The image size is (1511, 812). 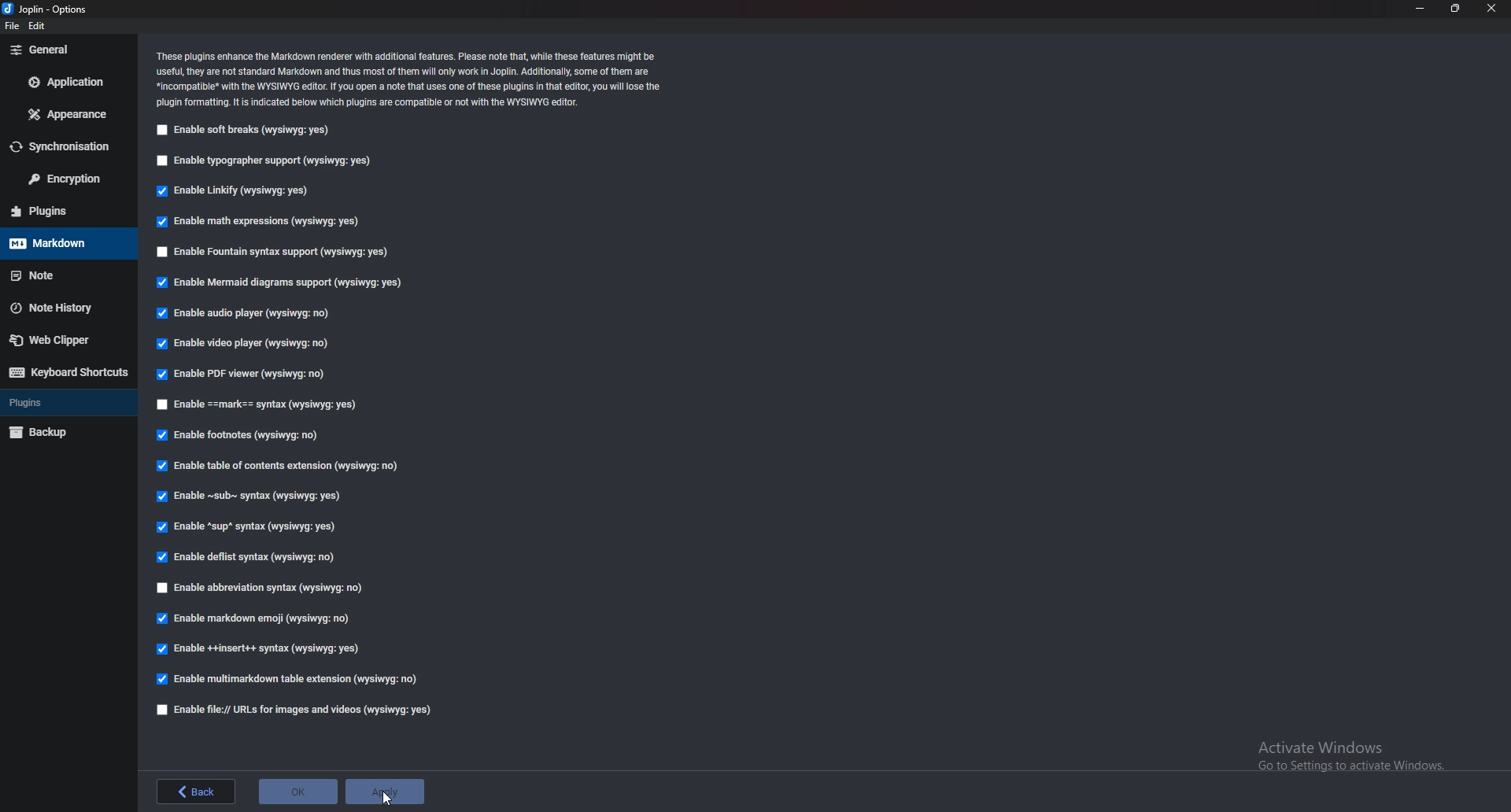 I want to click on Enable linkify, so click(x=236, y=193).